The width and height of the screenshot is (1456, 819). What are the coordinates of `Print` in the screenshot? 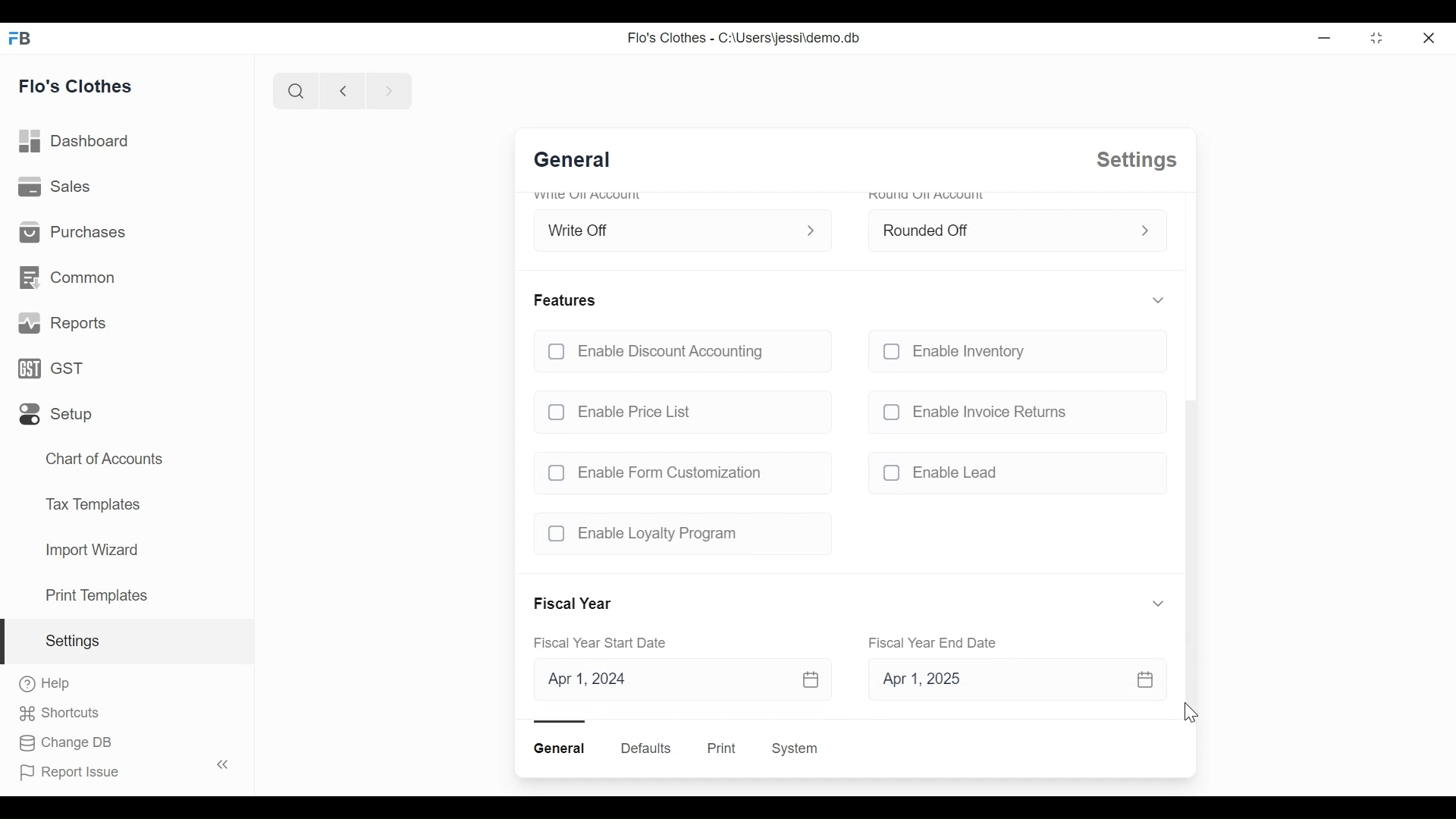 It's located at (720, 748).